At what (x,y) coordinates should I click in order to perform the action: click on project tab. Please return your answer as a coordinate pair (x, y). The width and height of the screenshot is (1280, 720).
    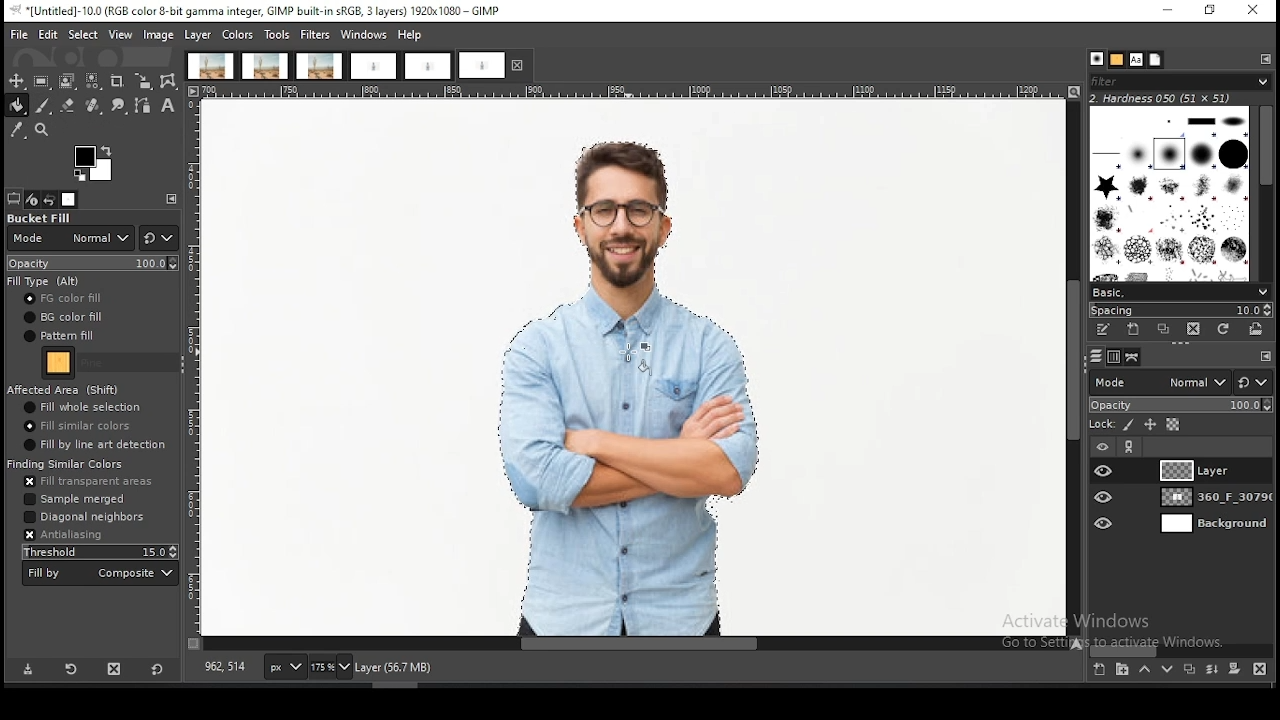
    Looking at the image, I should click on (320, 66).